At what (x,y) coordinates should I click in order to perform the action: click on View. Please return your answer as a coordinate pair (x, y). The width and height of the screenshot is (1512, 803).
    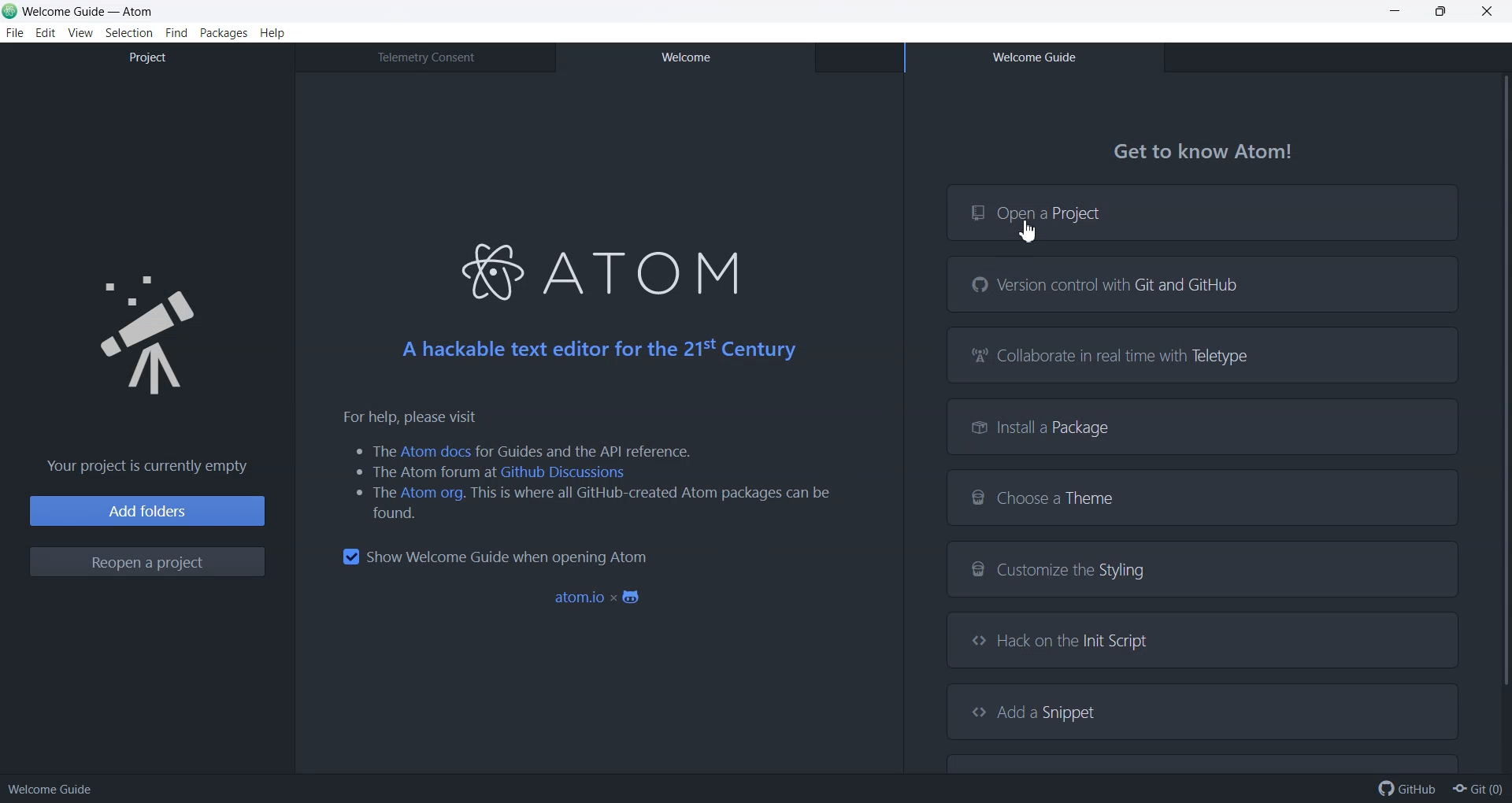
    Looking at the image, I should click on (80, 33).